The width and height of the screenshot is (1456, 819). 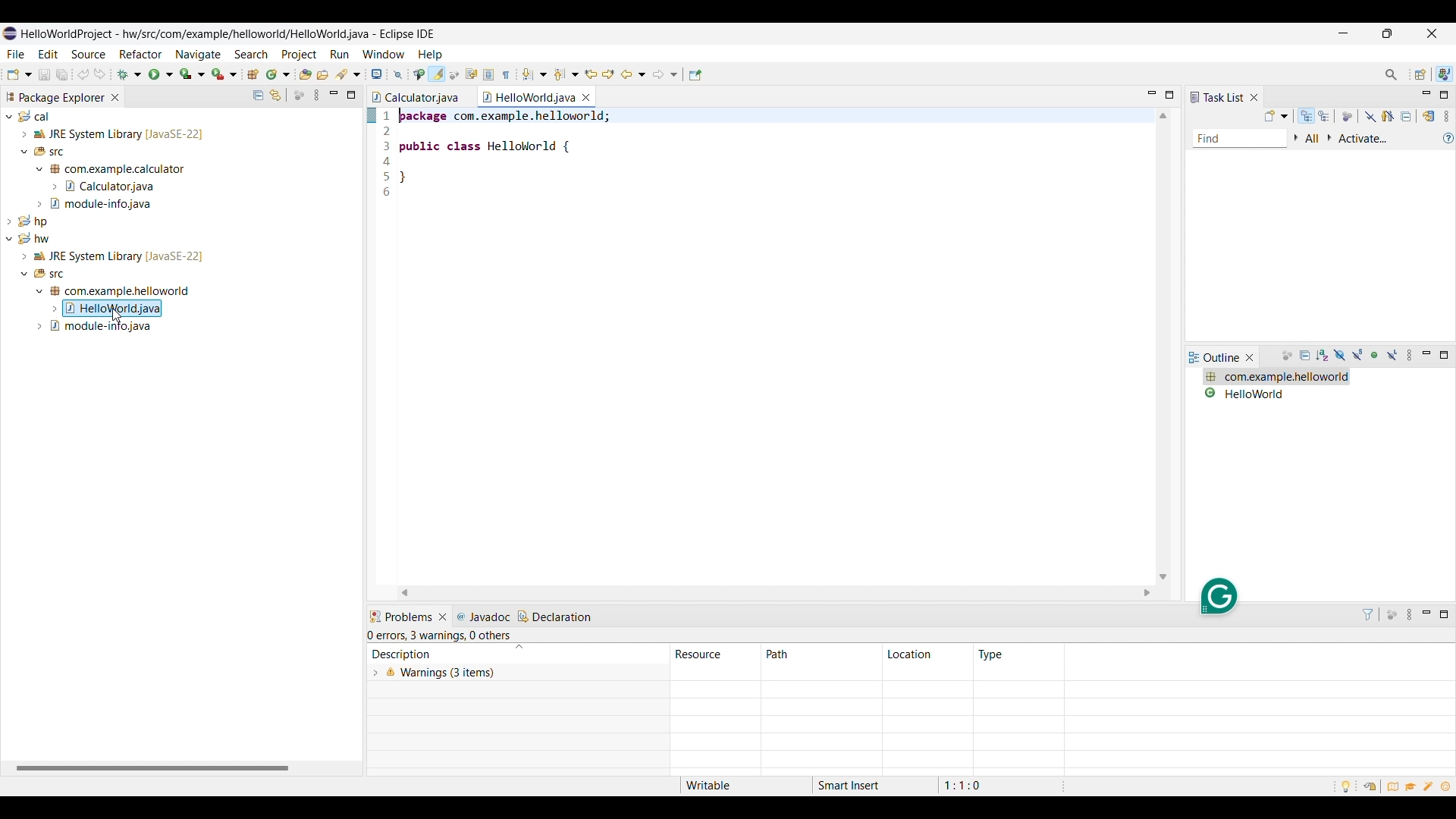 I want to click on Redo, so click(x=84, y=74).